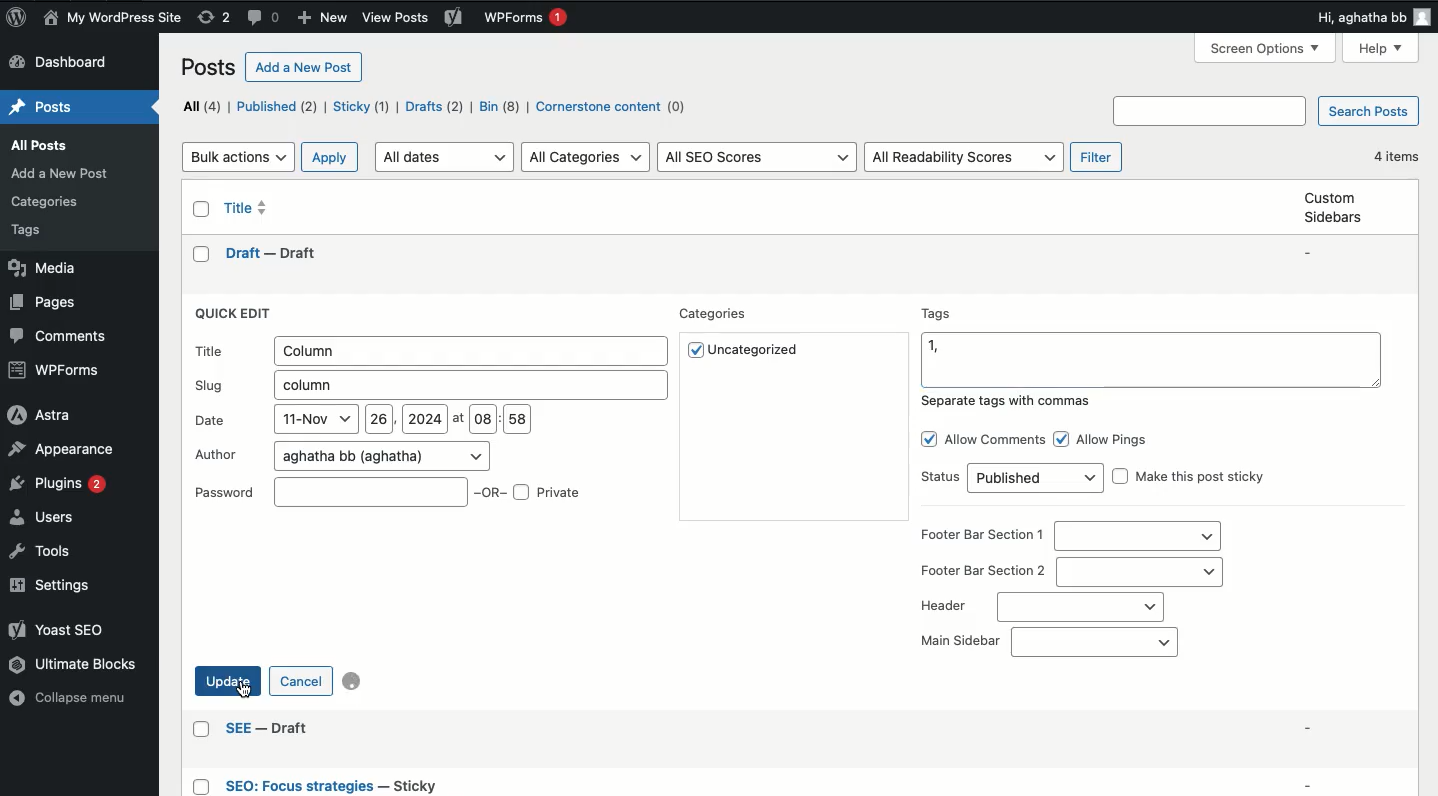 This screenshot has width=1438, height=796. What do you see at coordinates (325, 17) in the screenshot?
I see `New` at bounding box center [325, 17].